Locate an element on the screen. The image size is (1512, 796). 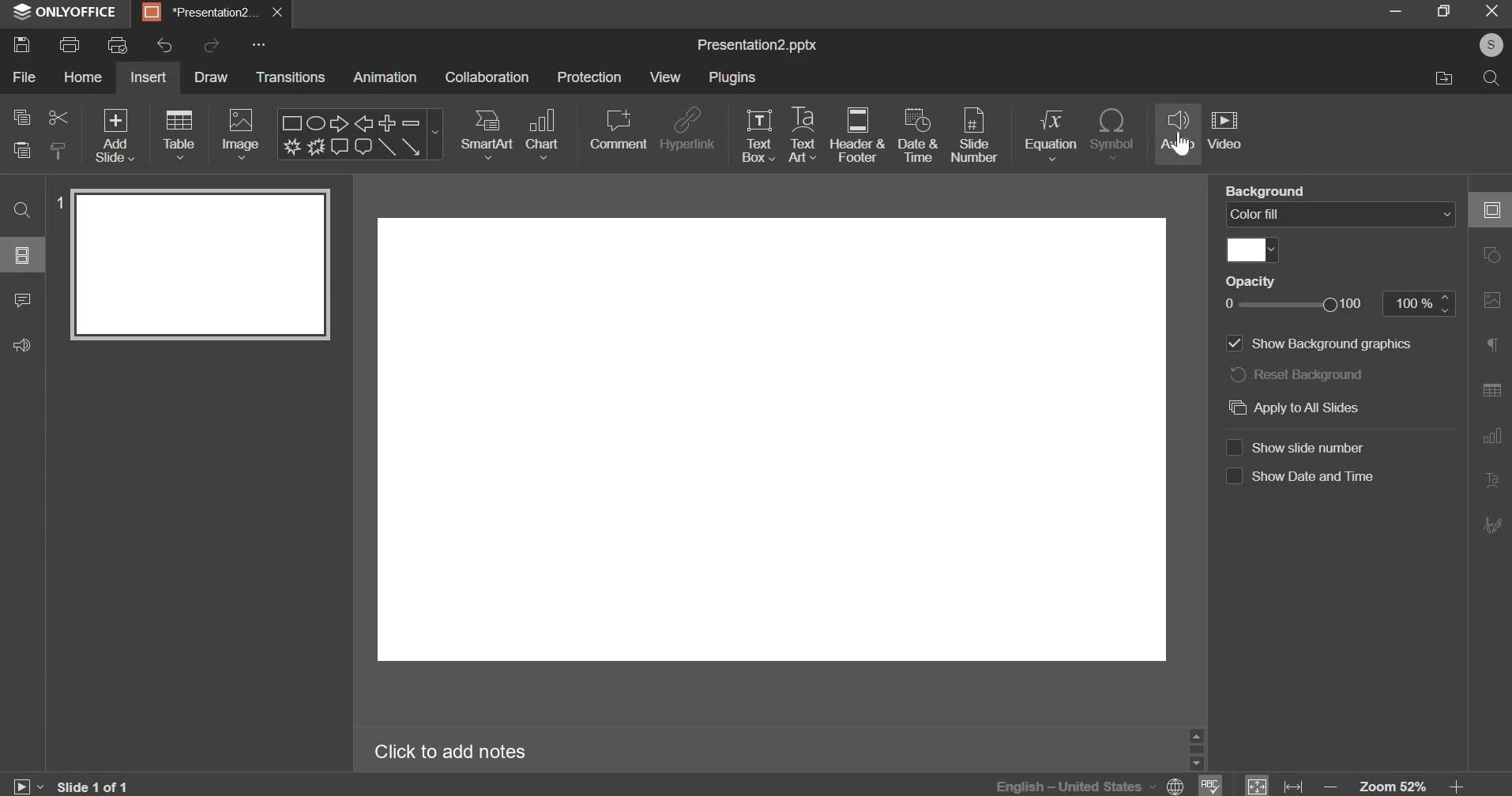
copy styles is located at coordinates (60, 151).